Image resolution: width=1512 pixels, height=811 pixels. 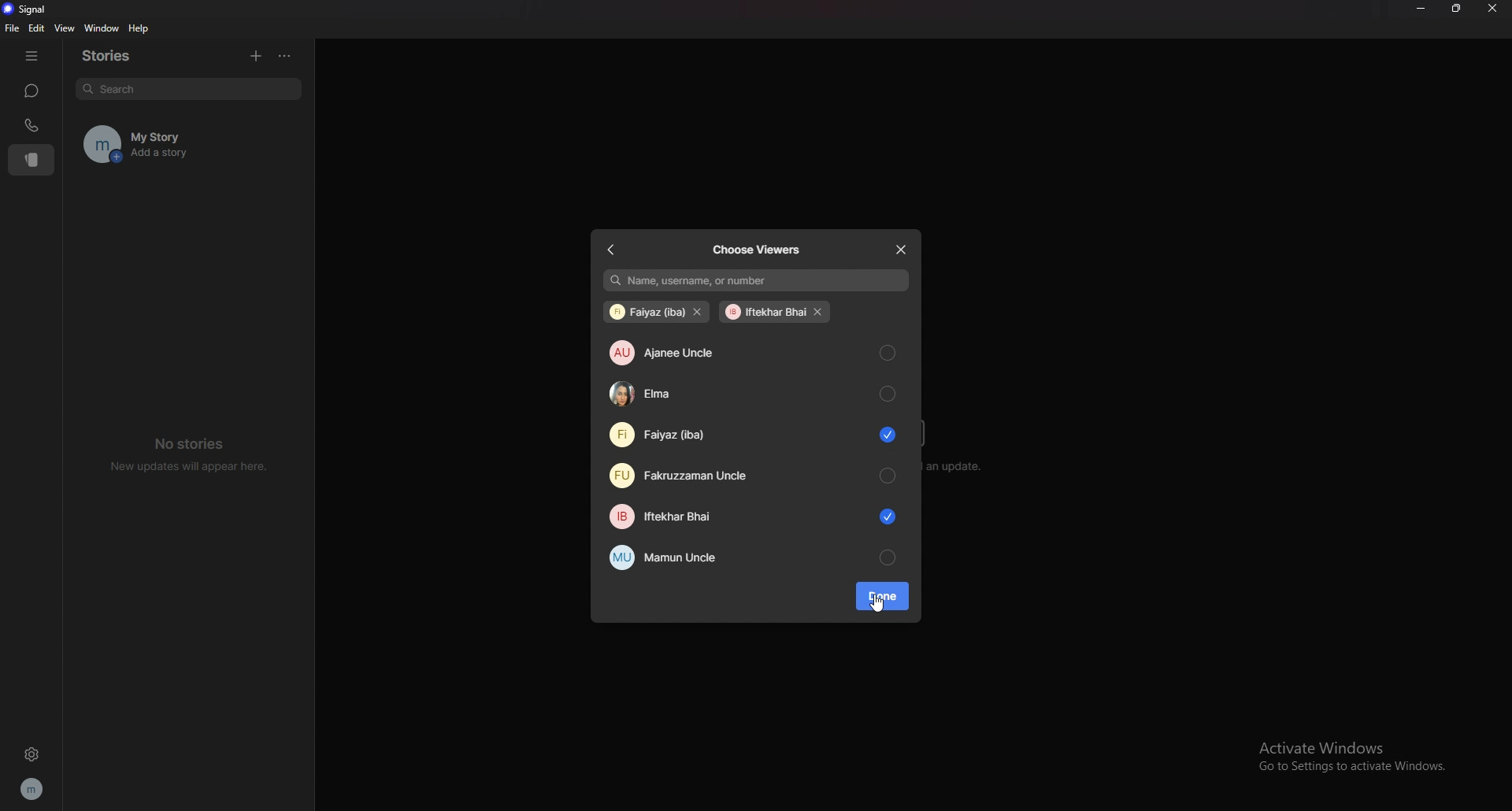 I want to click on chats, so click(x=32, y=91).